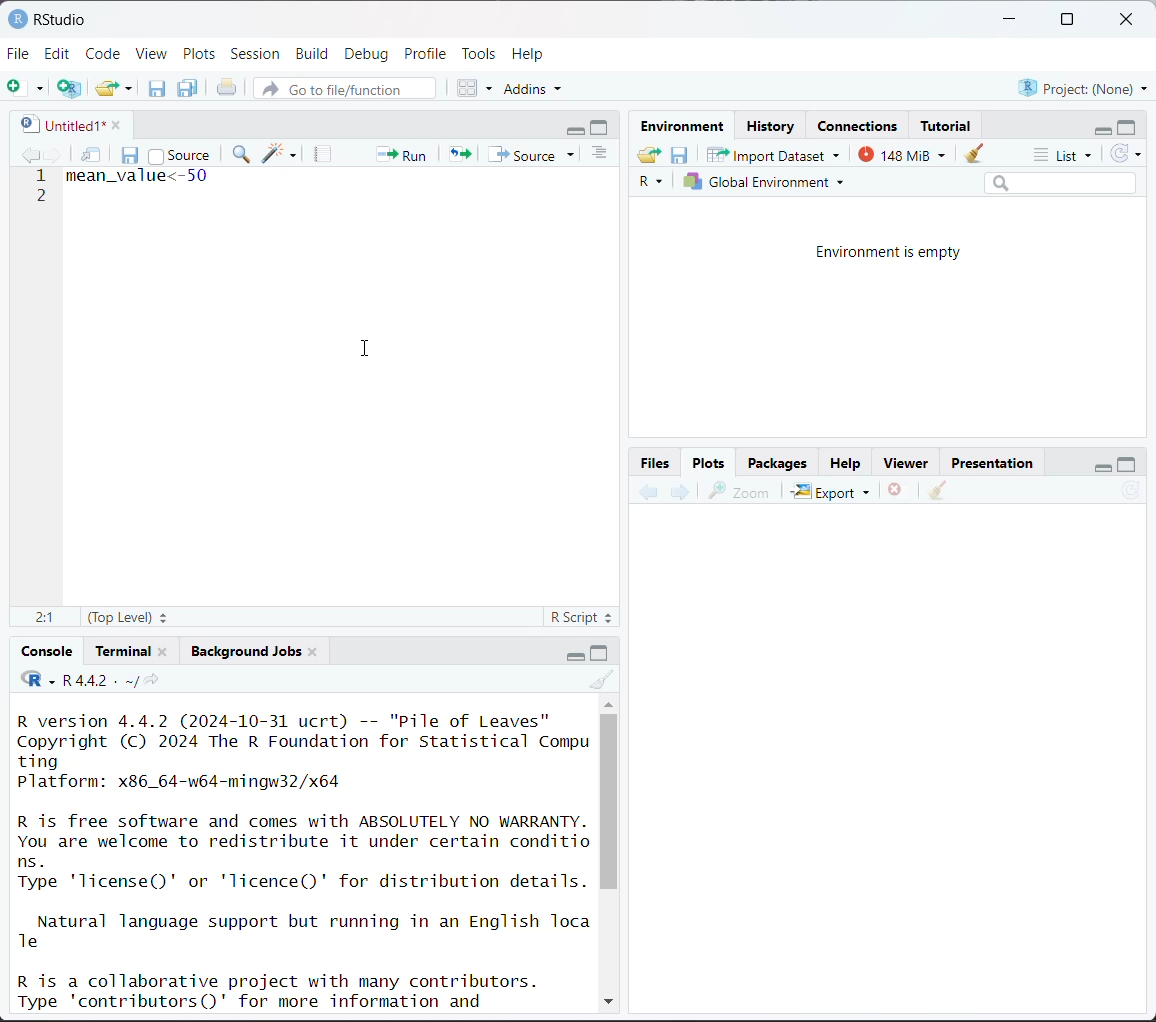 The width and height of the screenshot is (1156, 1022). Describe the element at coordinates (938, 491) in the screenshot. I see `clear all plots` at that location.